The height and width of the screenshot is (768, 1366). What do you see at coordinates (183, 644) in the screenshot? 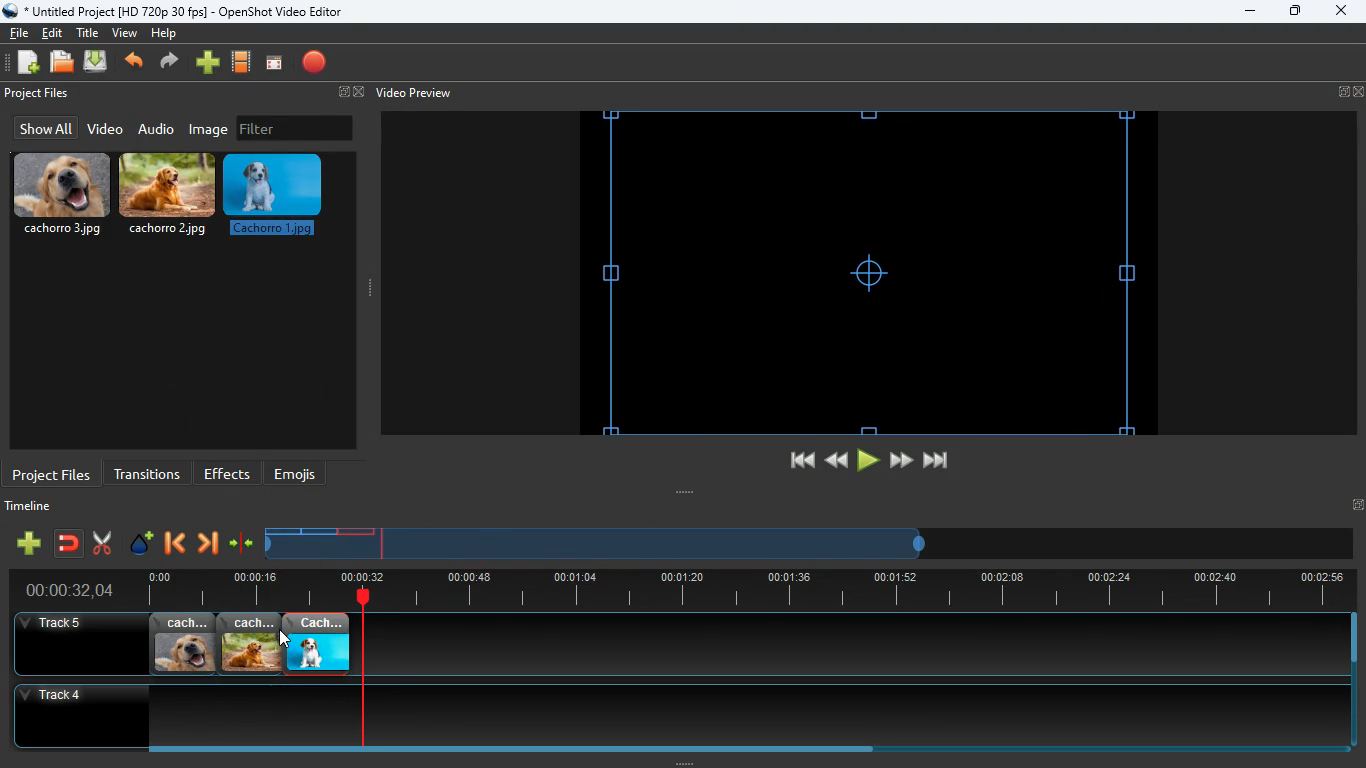
I see `cachorro.3.jpg` at bounding box center [183, 644].